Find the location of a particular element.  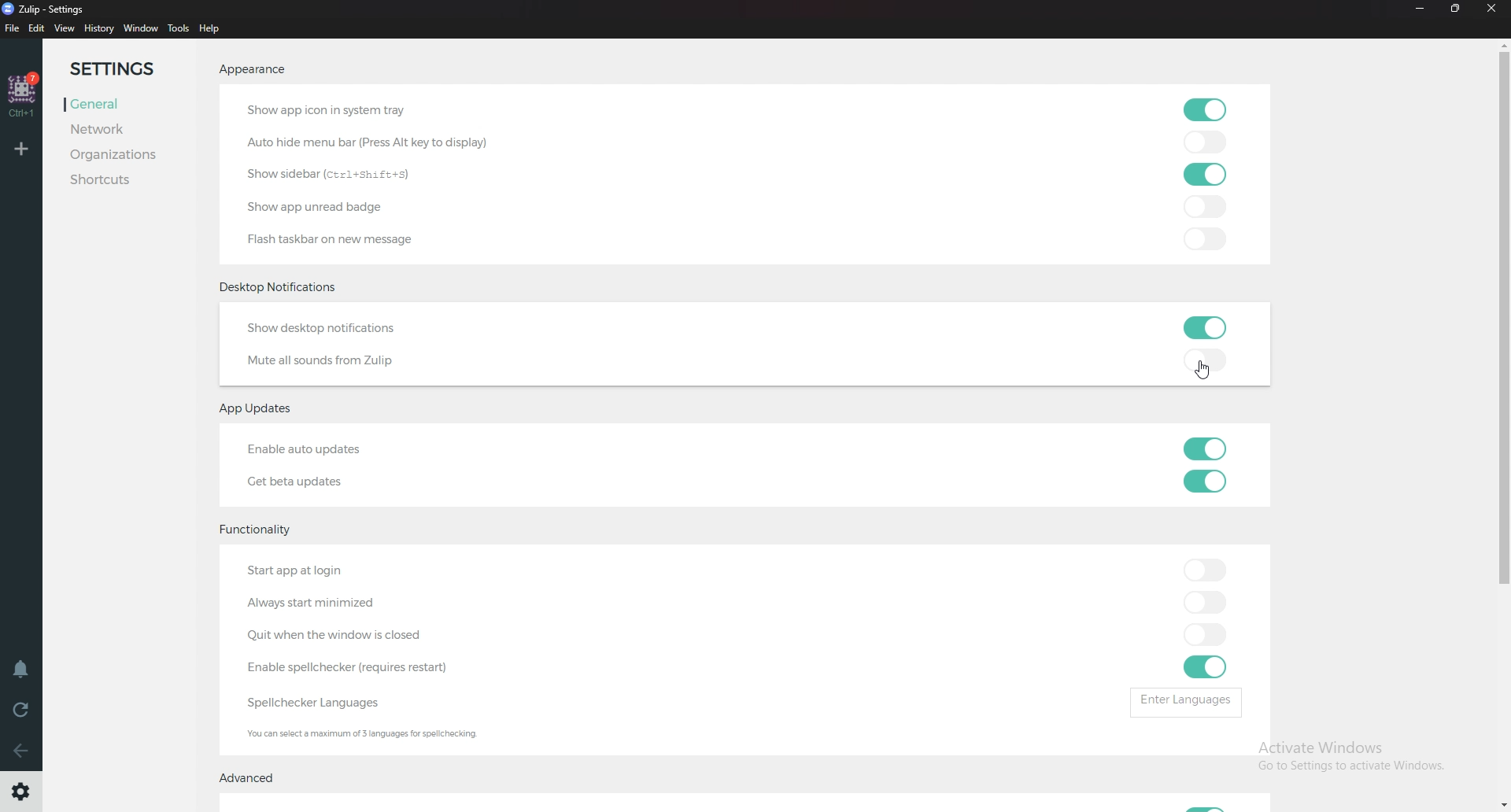

view is located at coordinates (65, 29).